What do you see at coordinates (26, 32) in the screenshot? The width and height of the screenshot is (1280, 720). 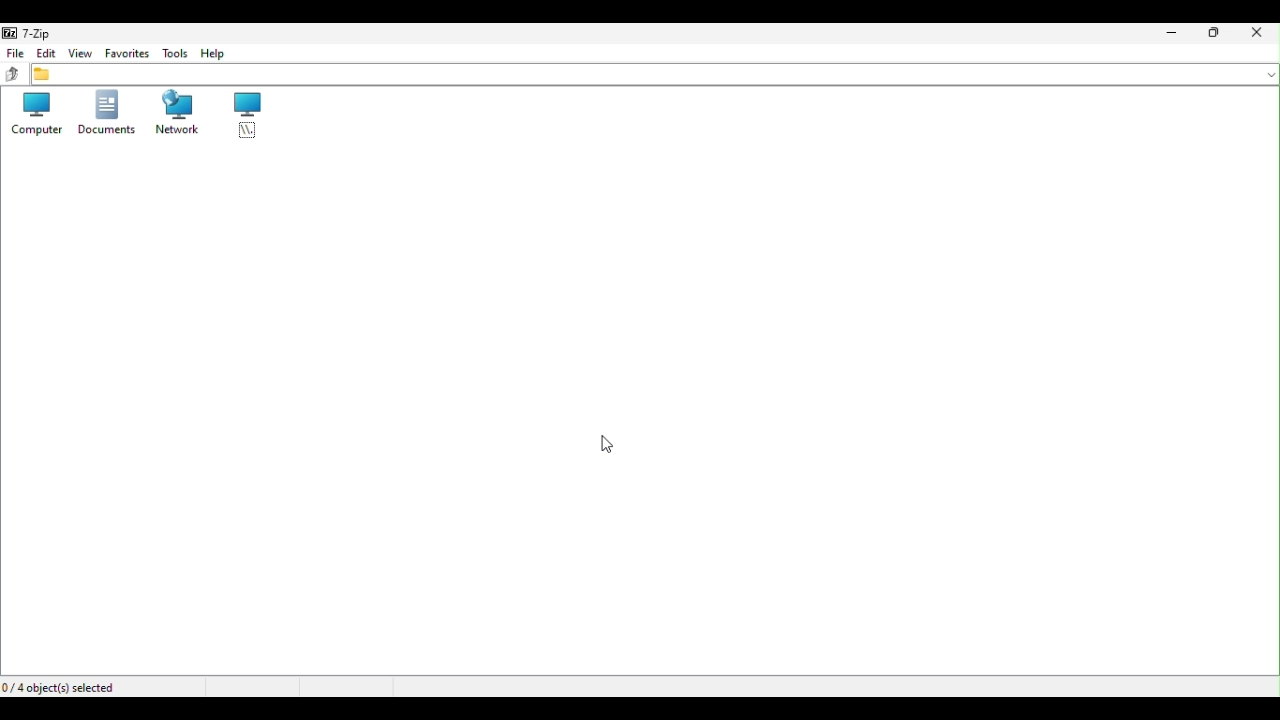 I see `7 zip` at bounding box center [26, 32].